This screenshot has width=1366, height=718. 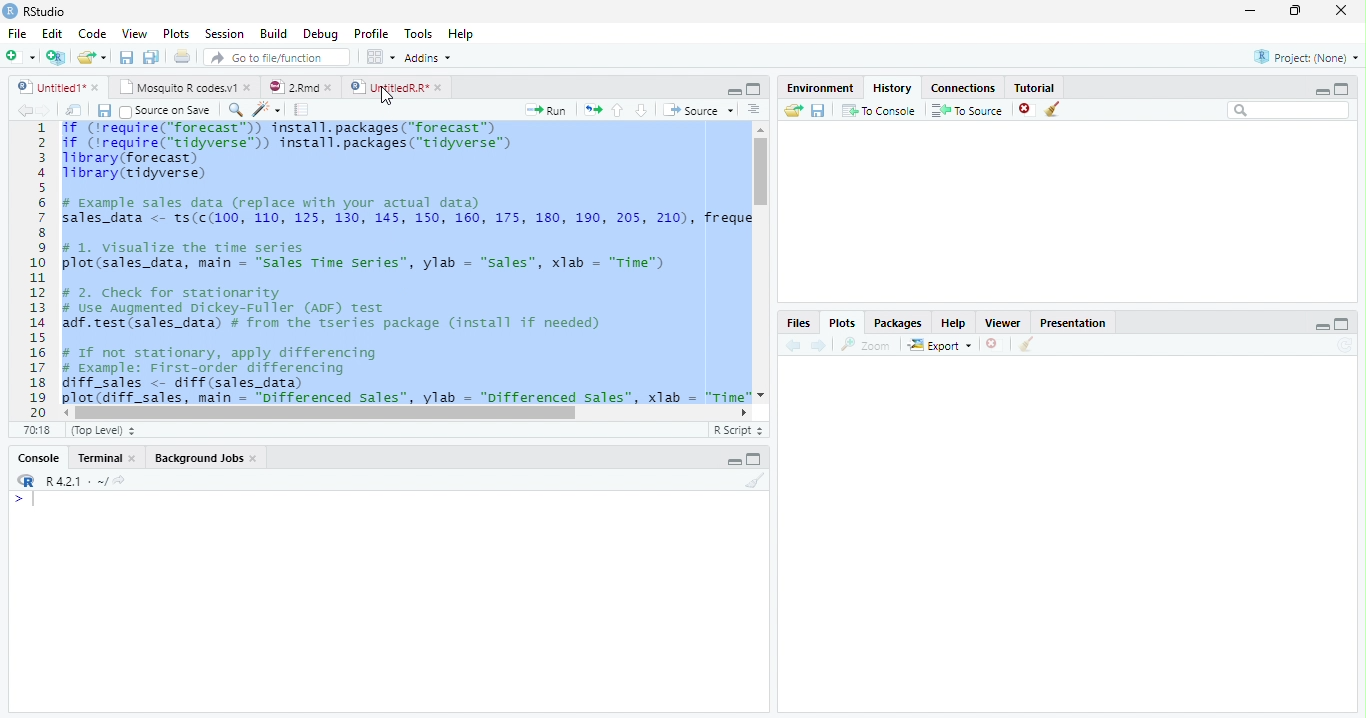 I want to click on Maximize, so click(x=755, y=90).